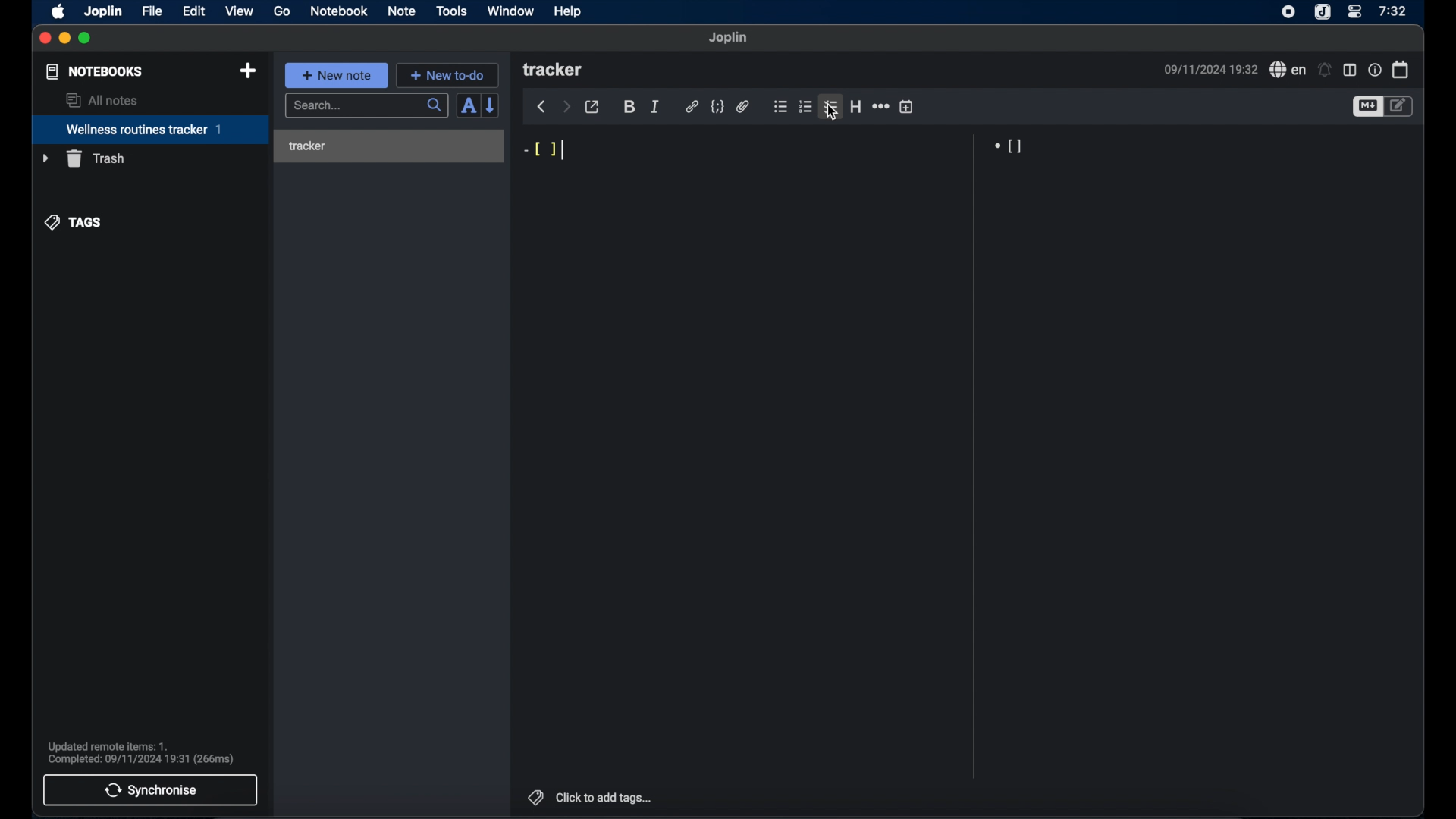  I want to click on tags, so click(74, 223).